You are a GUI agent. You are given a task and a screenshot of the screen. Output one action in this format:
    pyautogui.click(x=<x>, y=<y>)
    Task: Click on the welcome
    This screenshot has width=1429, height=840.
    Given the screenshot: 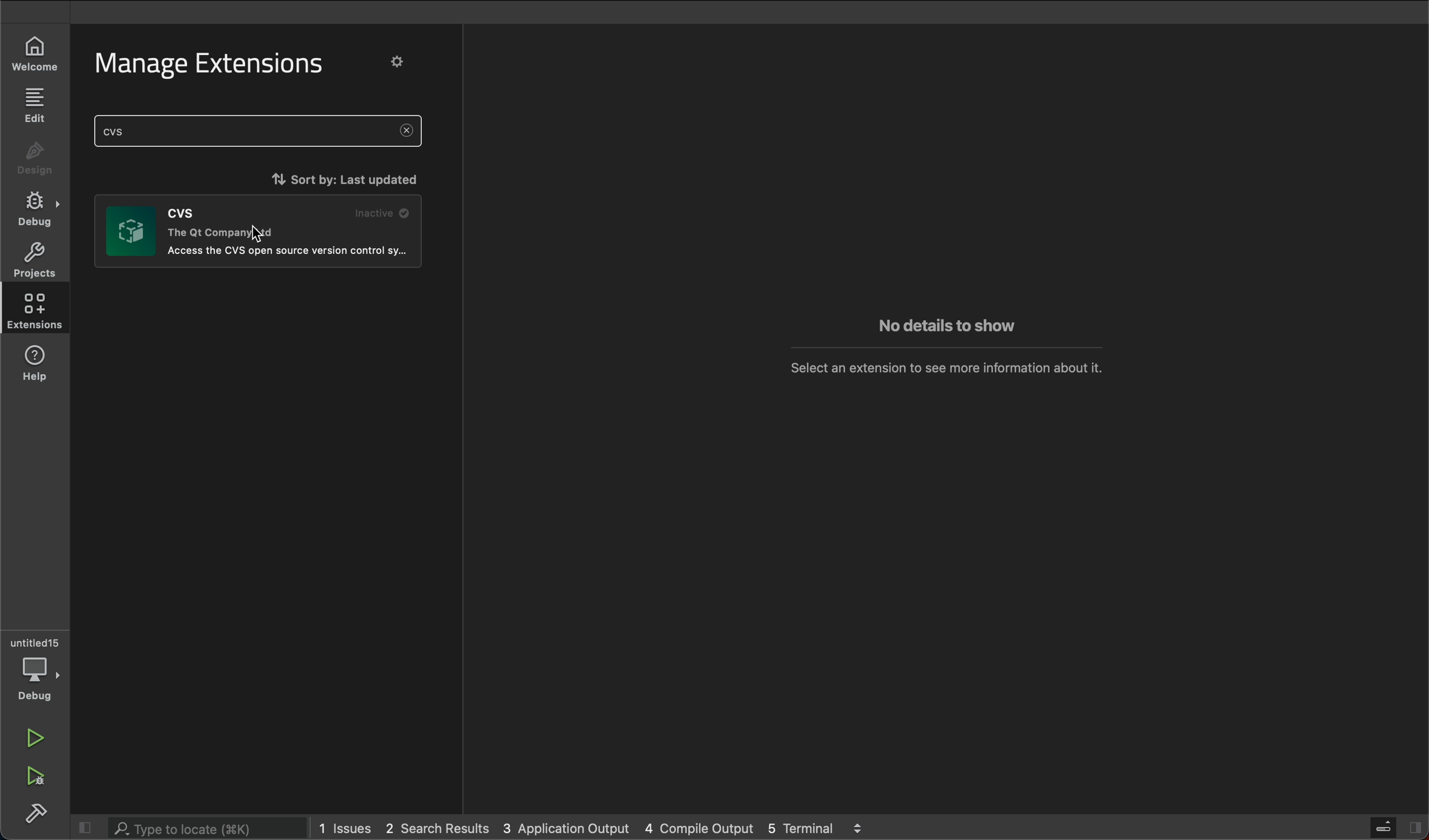 What is the action you would take?
    pyautogui.click(x=30, y=57)
    